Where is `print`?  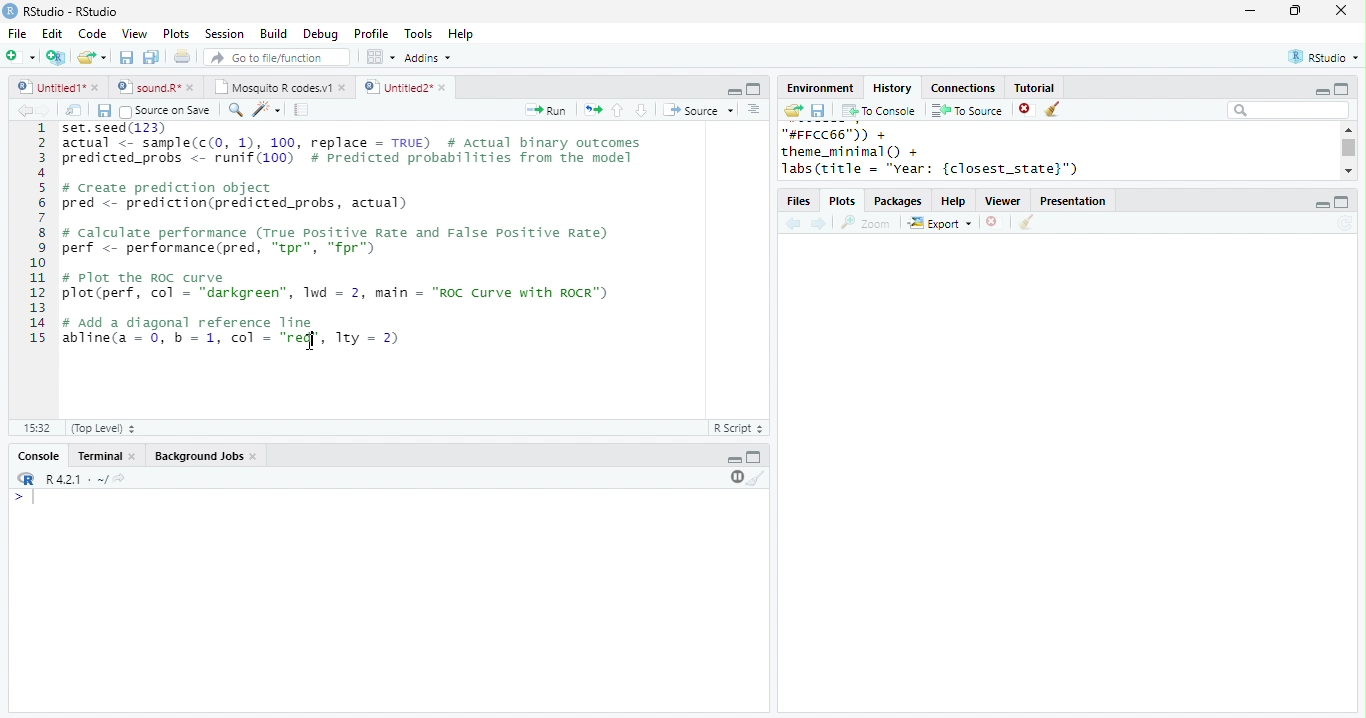
print is located at coordinates (183, 56).